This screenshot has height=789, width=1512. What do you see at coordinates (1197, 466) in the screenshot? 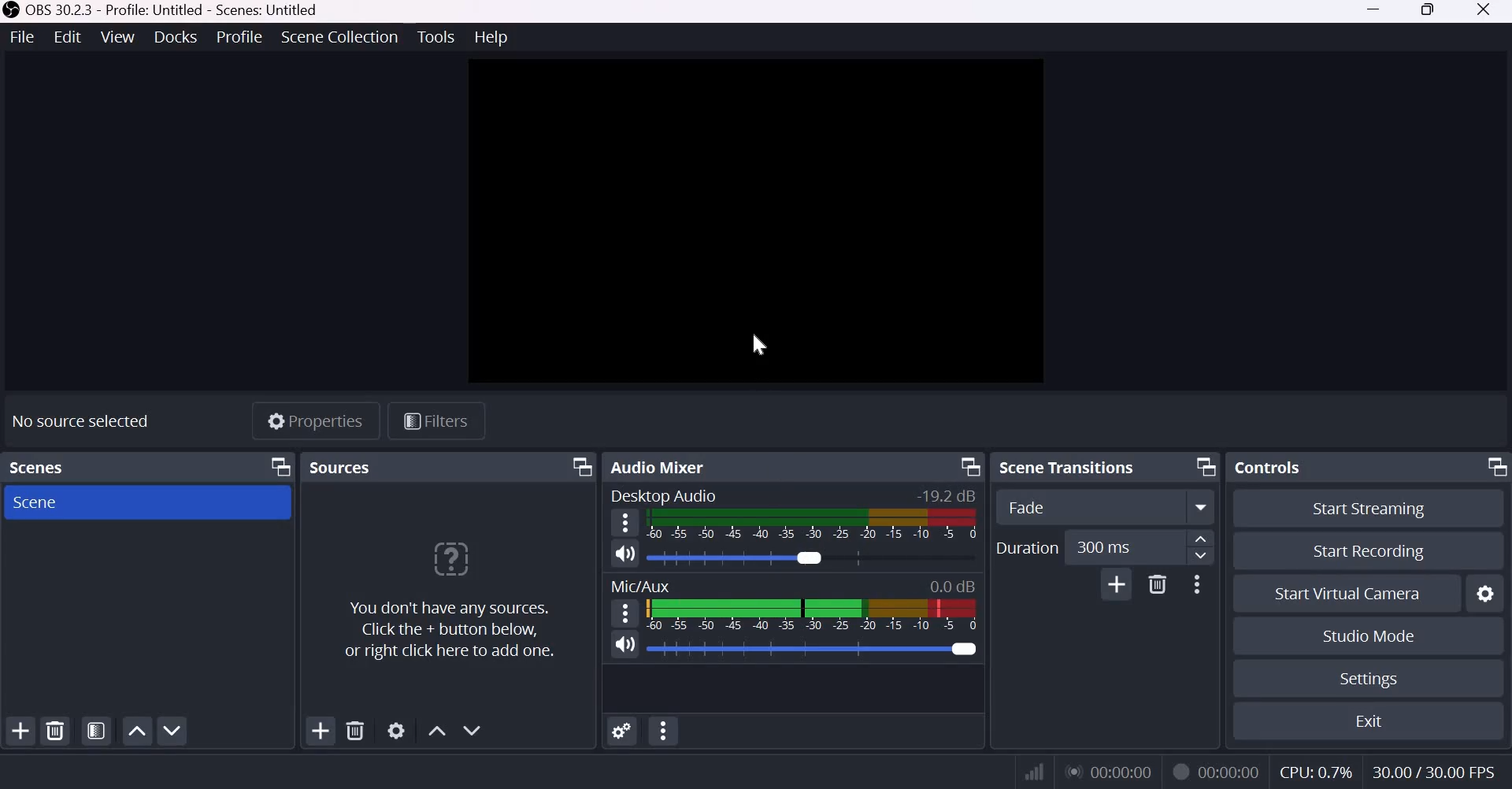
I see `Dock Options icon` at bounding box center [1197, 466].